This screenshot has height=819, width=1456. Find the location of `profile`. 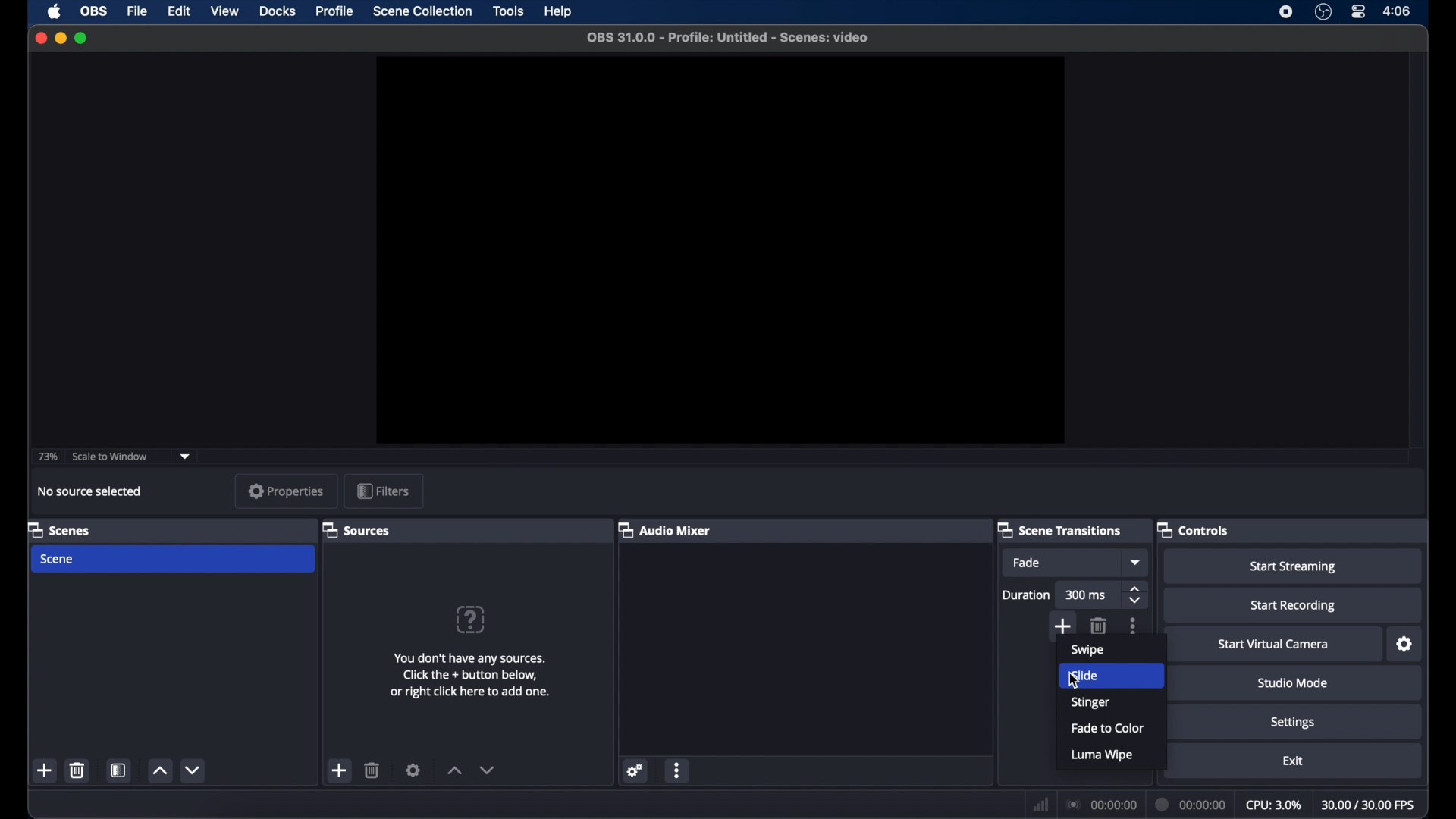

profile is located at coordinates (336, 11).